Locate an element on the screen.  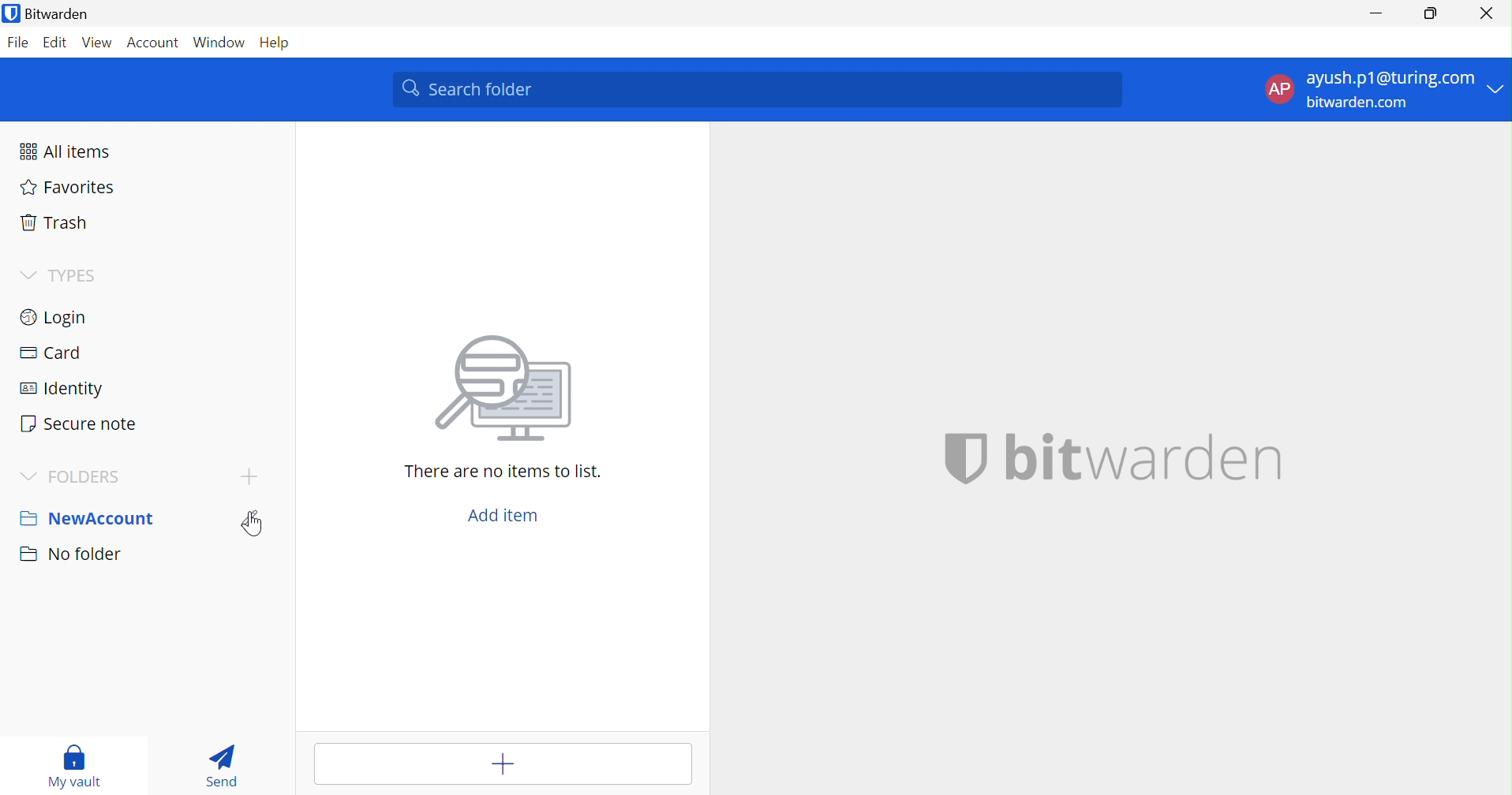
FOLDERS is located at coordinates (94, 476).